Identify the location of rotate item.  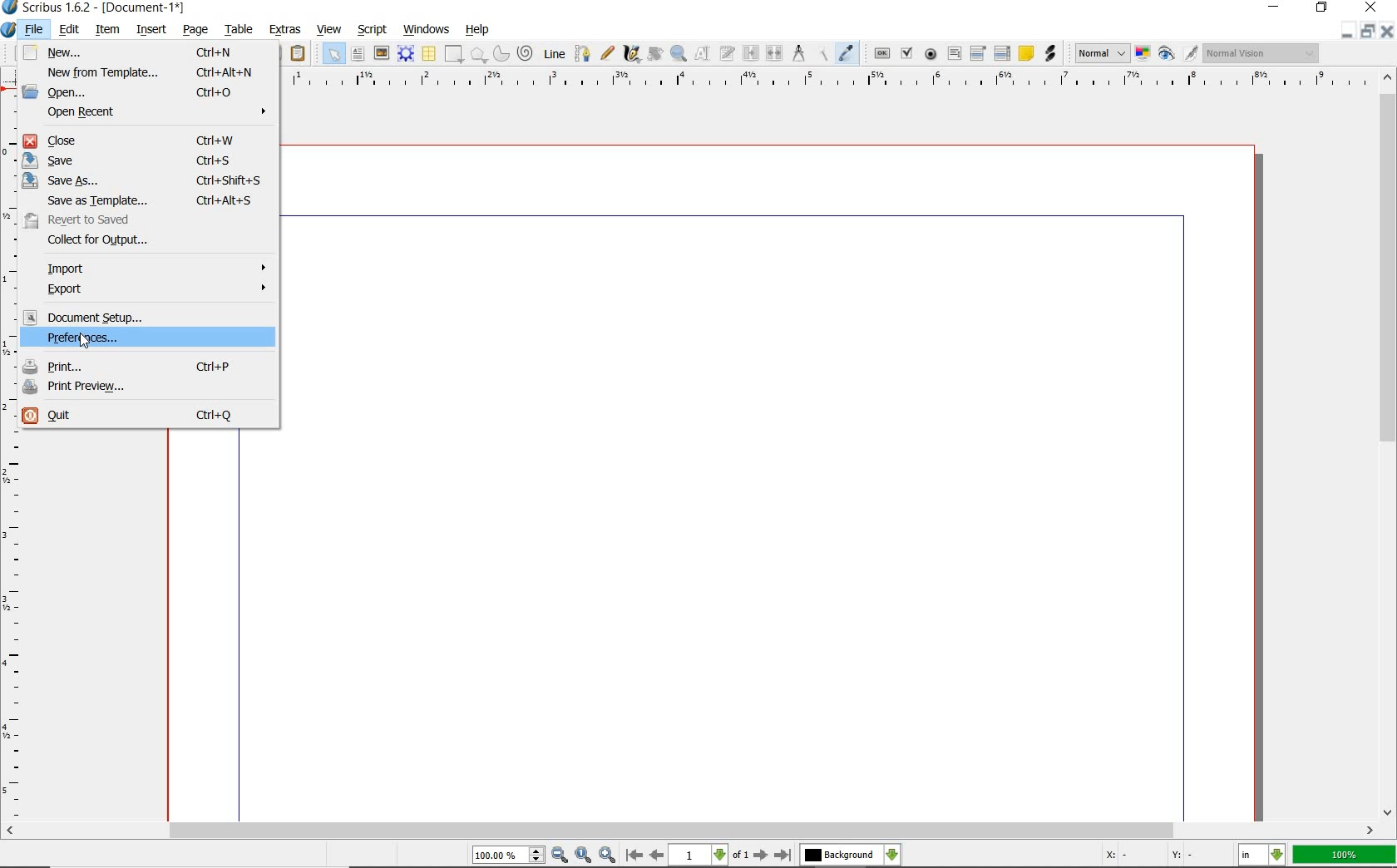
(655, 55).